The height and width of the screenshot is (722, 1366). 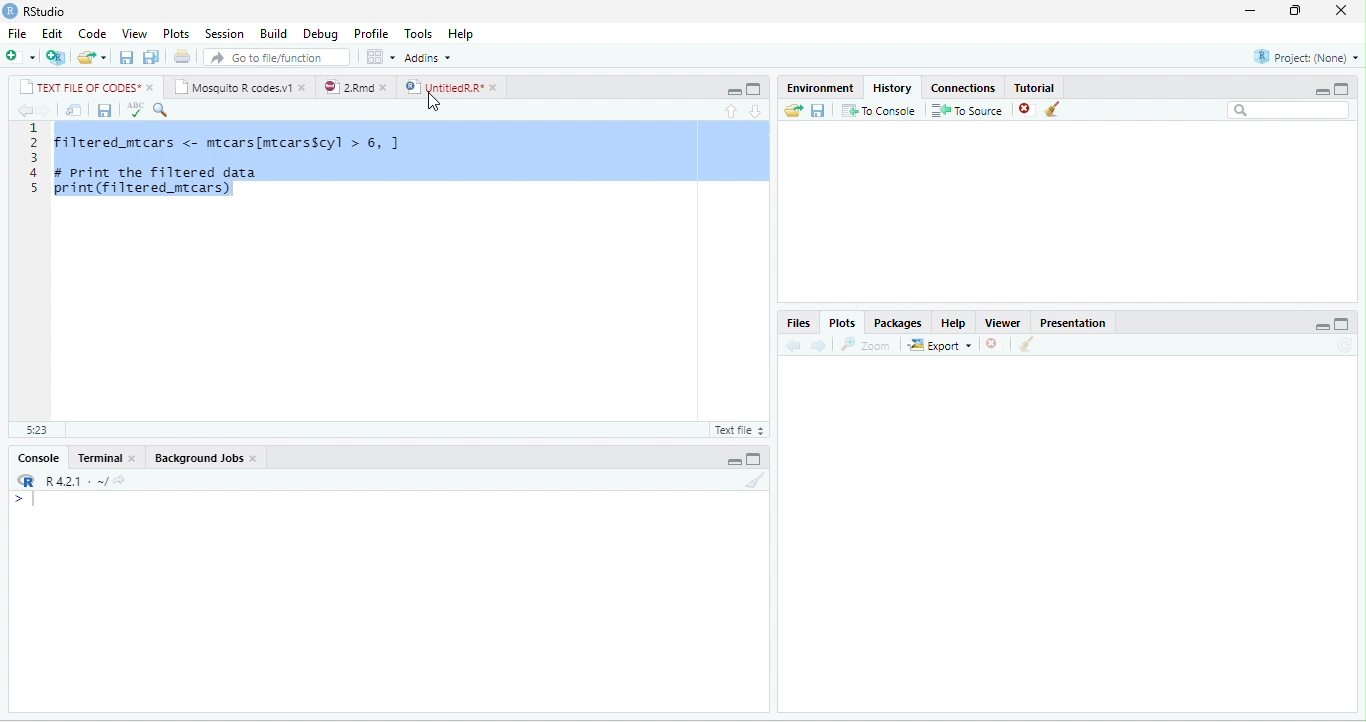 What do you see at coordinates (182, 56) in the screenshot?
I see `print` at bounding box center [182, 56].